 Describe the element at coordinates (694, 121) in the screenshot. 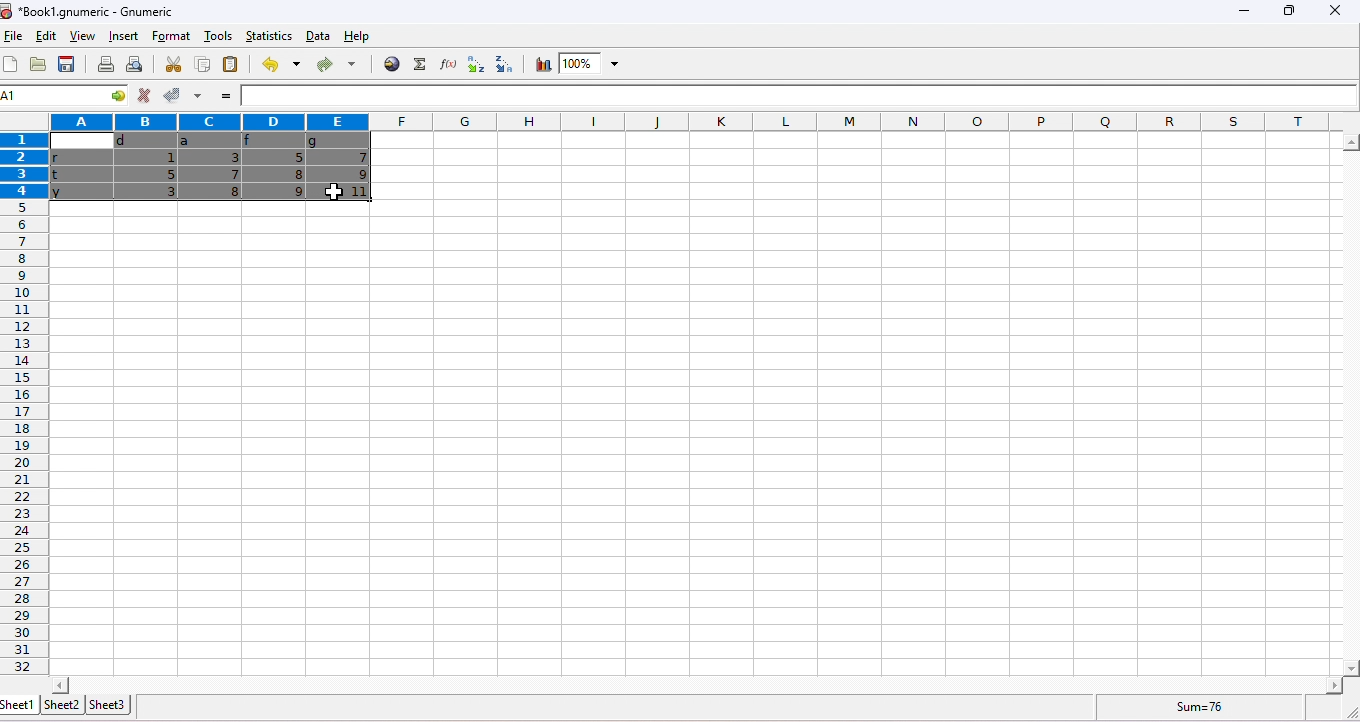

I see `column headings` at that location.